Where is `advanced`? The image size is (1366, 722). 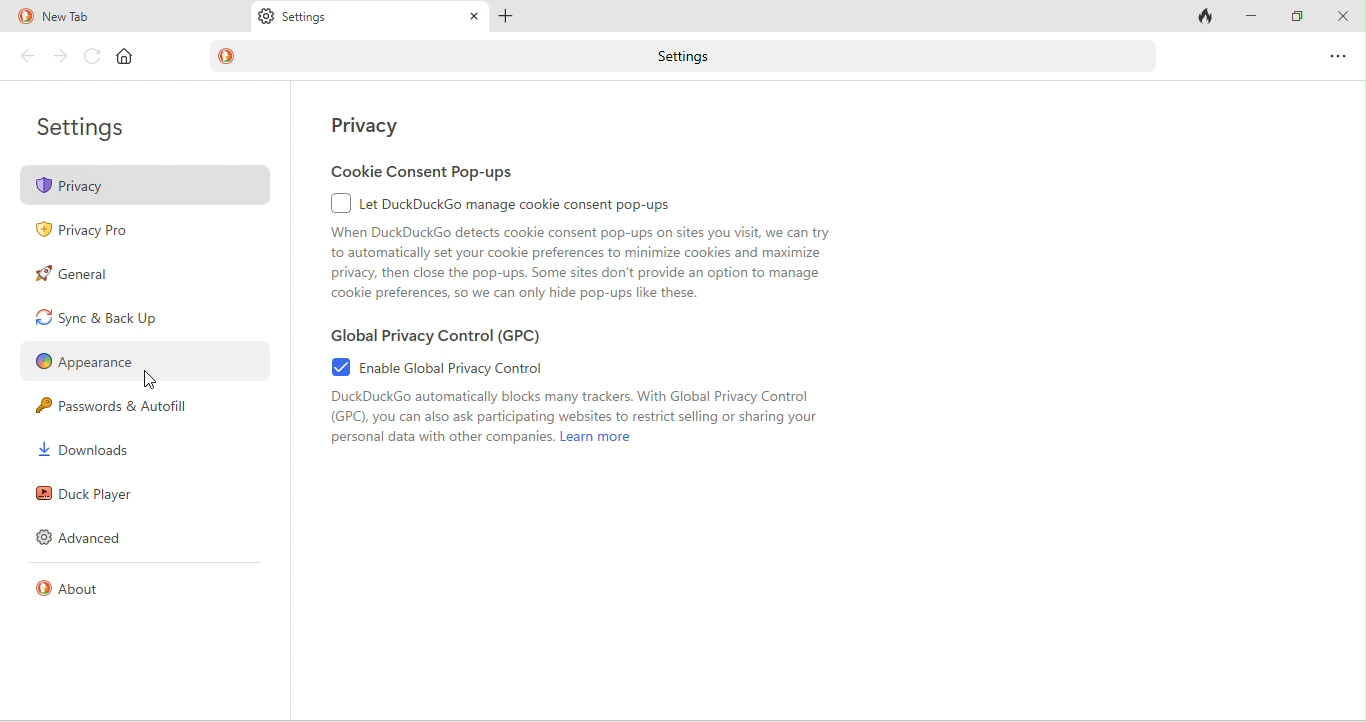 advanced is located at coordinates (90, 539).